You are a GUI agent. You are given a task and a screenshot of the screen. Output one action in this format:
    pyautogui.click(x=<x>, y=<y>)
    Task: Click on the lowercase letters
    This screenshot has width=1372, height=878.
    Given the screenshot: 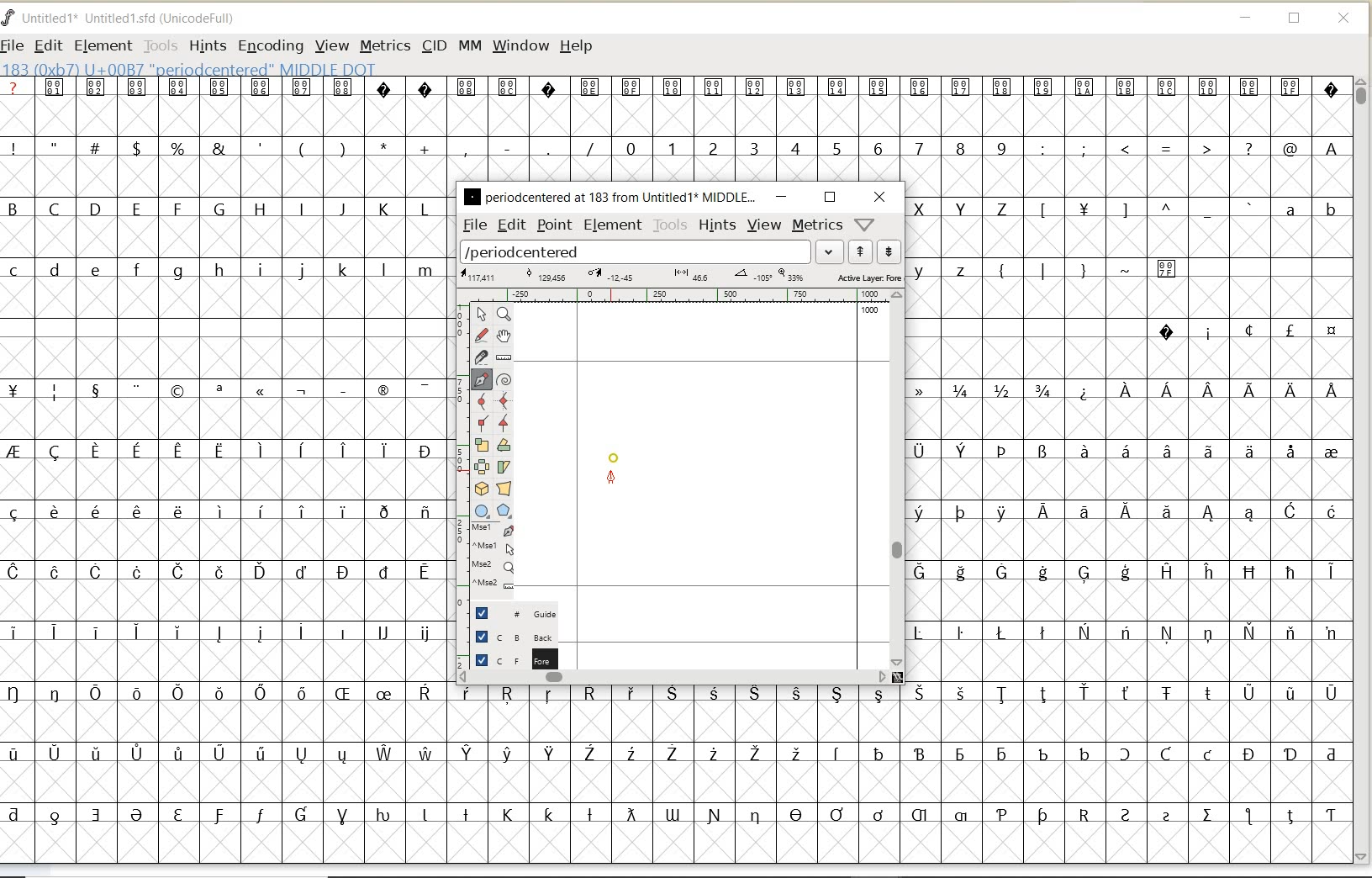 What is the action you would take?
    pyautogui.click(x=950, y=269)
    